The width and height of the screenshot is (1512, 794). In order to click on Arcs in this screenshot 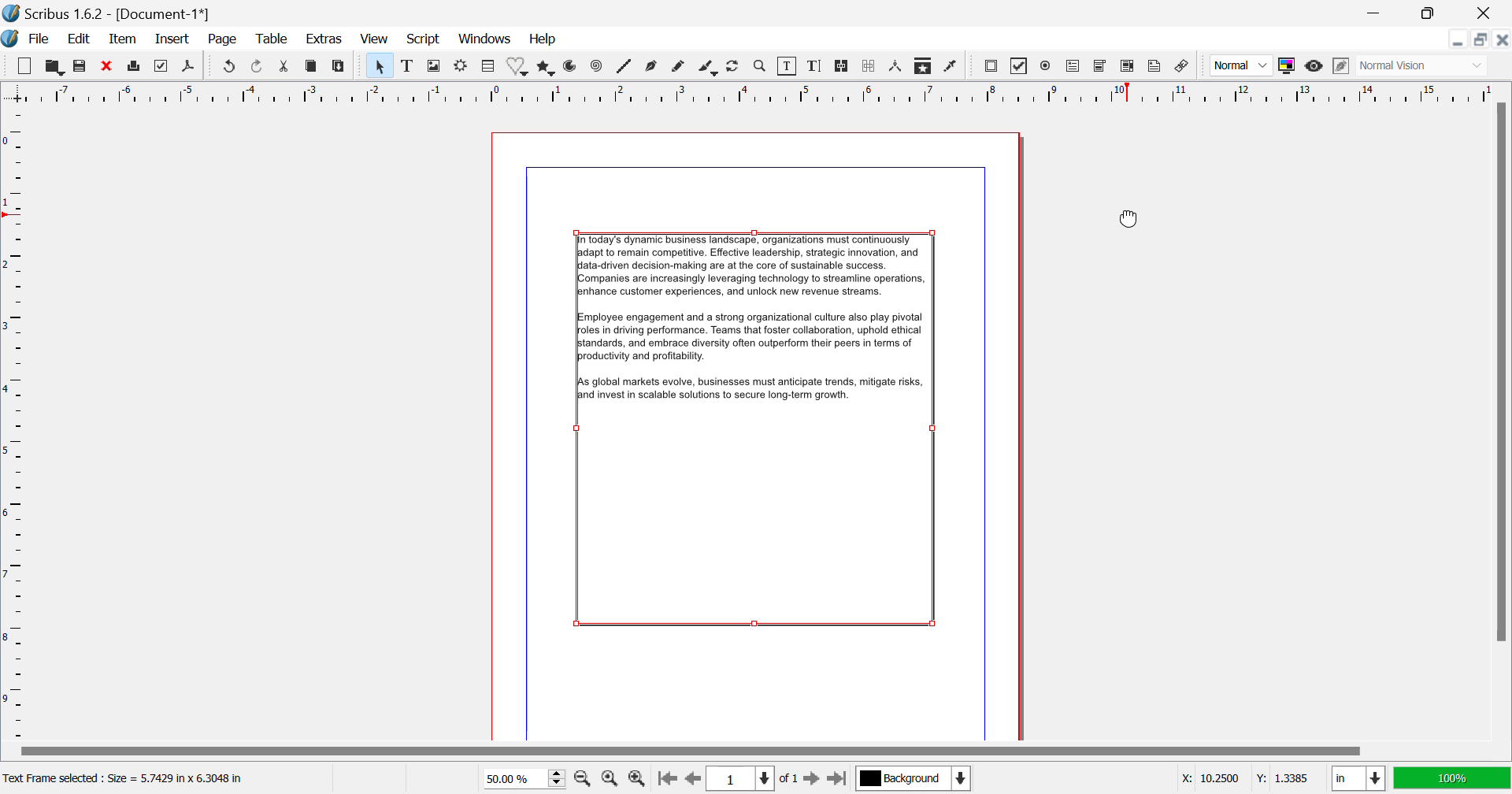, I will do `click(572, 67)`.